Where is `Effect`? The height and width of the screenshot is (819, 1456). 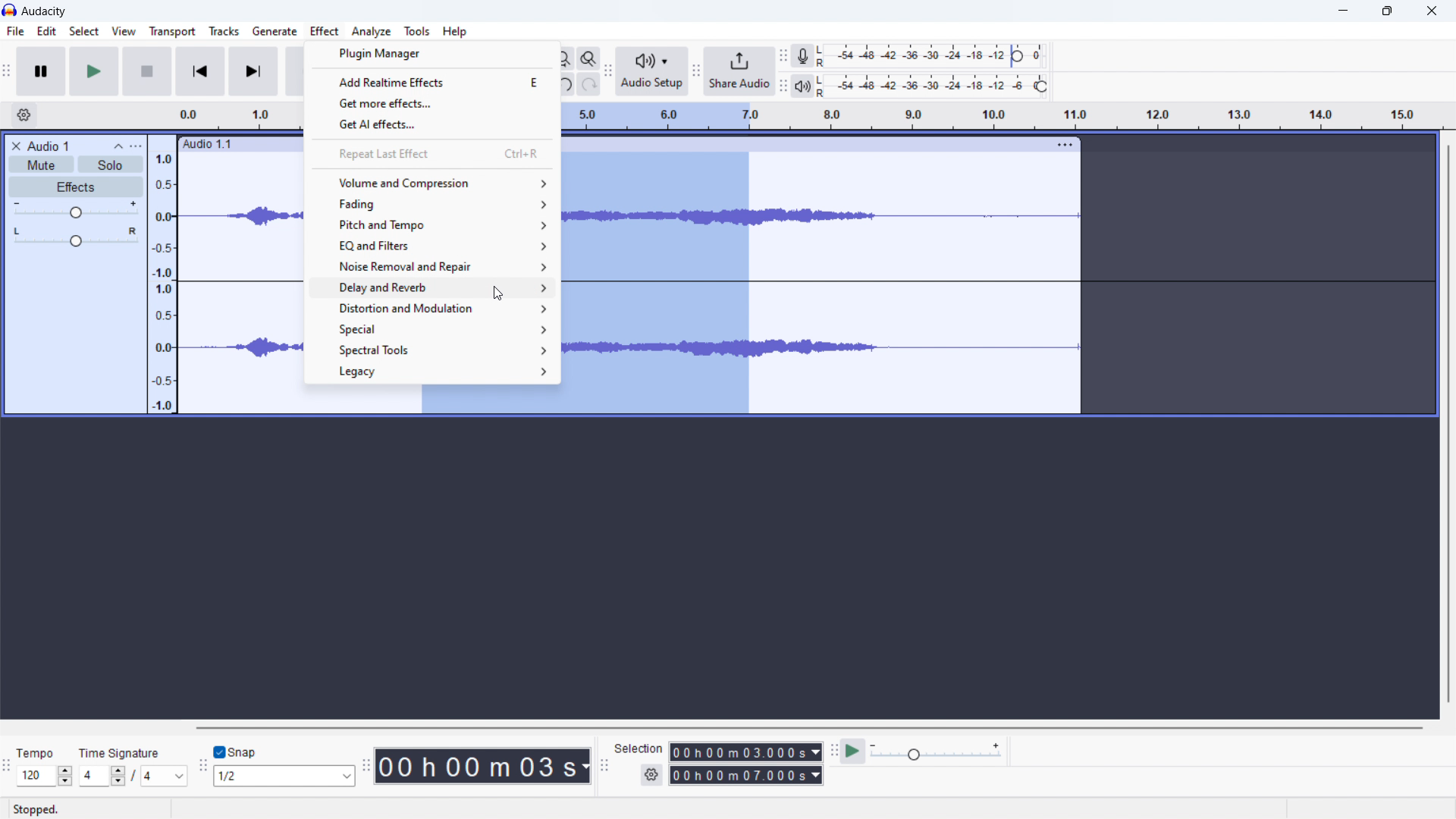 Effect is located at coordinates (326, 30).